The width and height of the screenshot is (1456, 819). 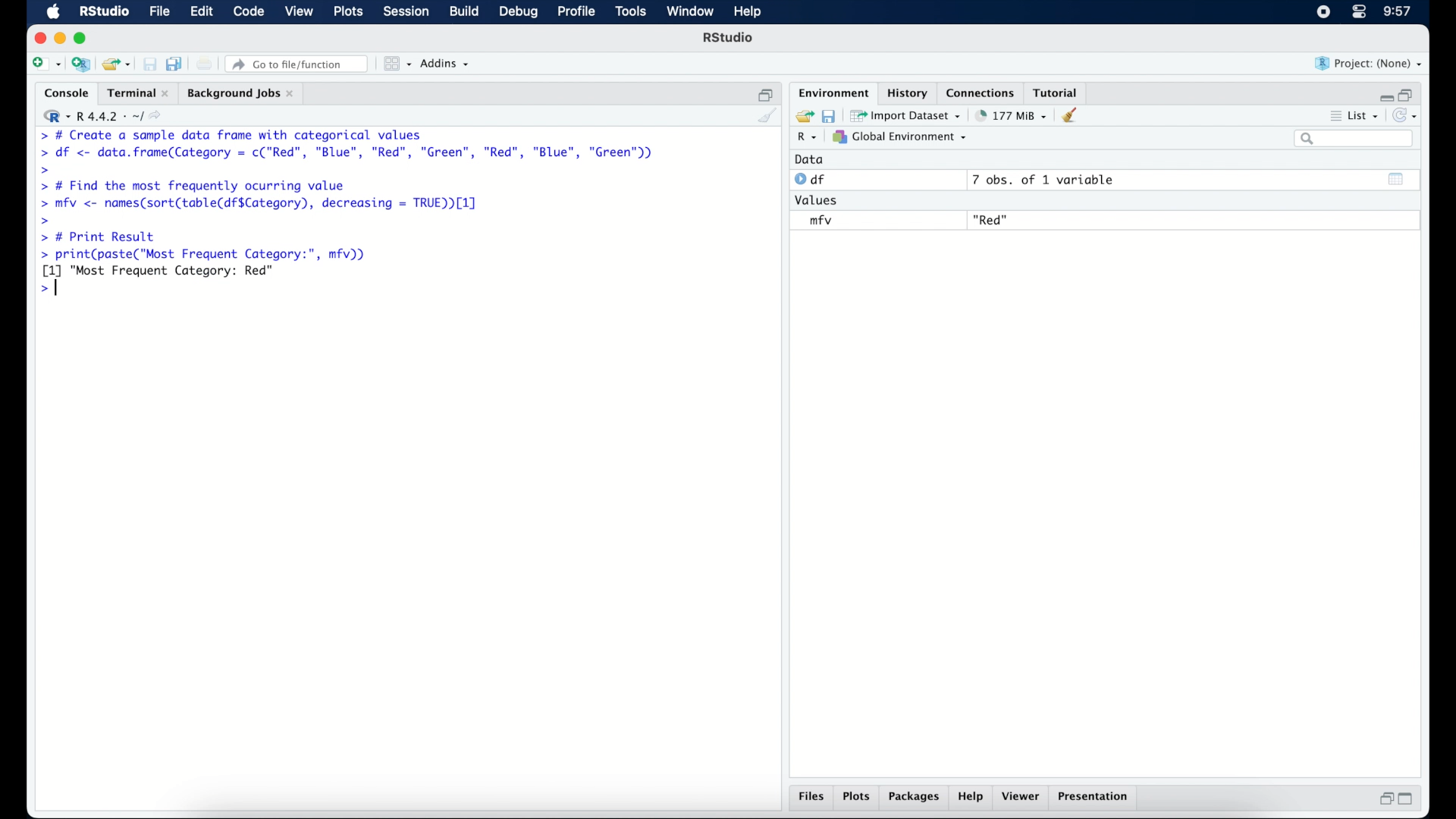 I want to click on command prompt, so click(x=45, y=169).